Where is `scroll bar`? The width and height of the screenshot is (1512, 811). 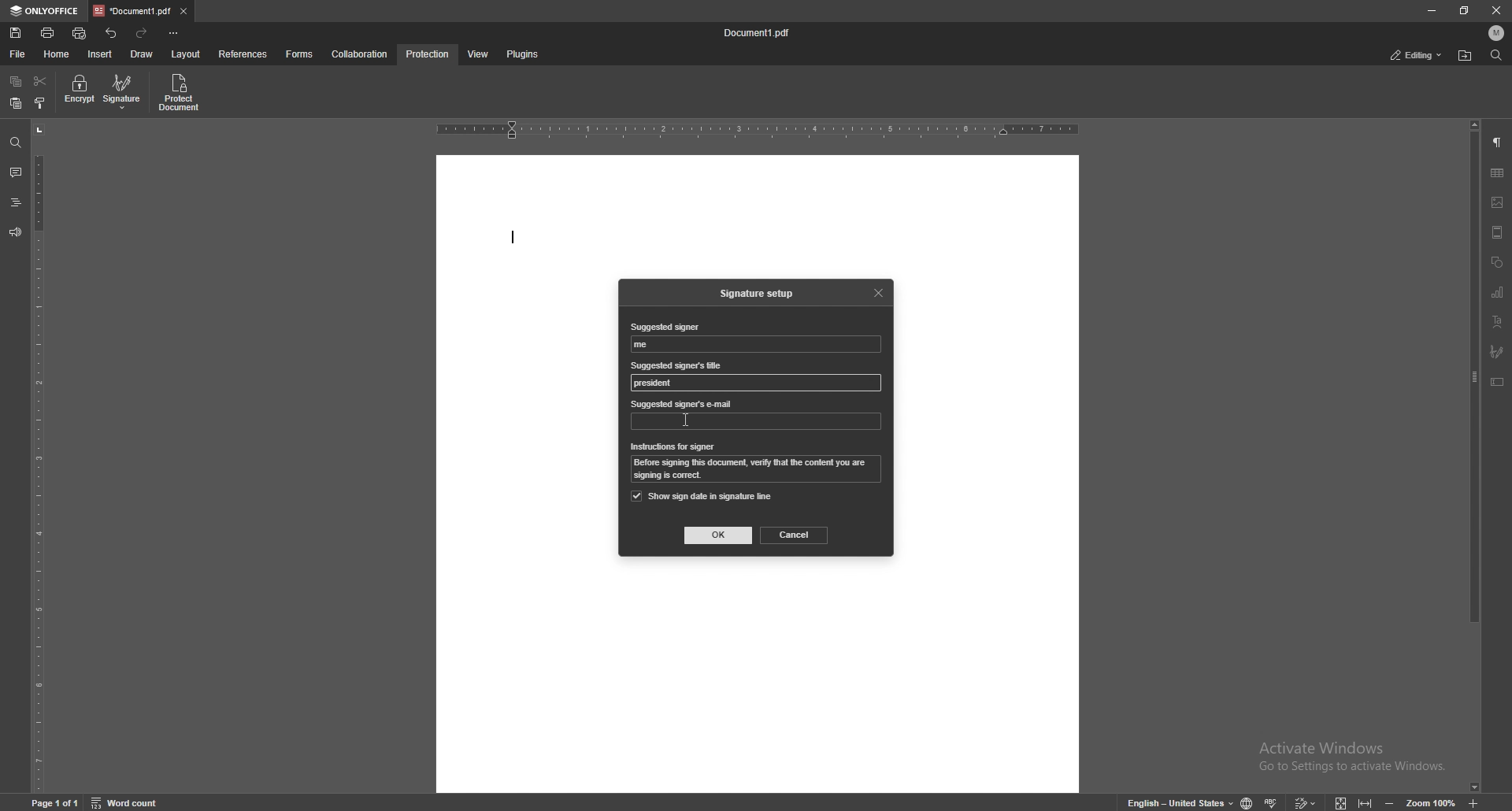
scroll bar is located at coordinates (1475, 457).